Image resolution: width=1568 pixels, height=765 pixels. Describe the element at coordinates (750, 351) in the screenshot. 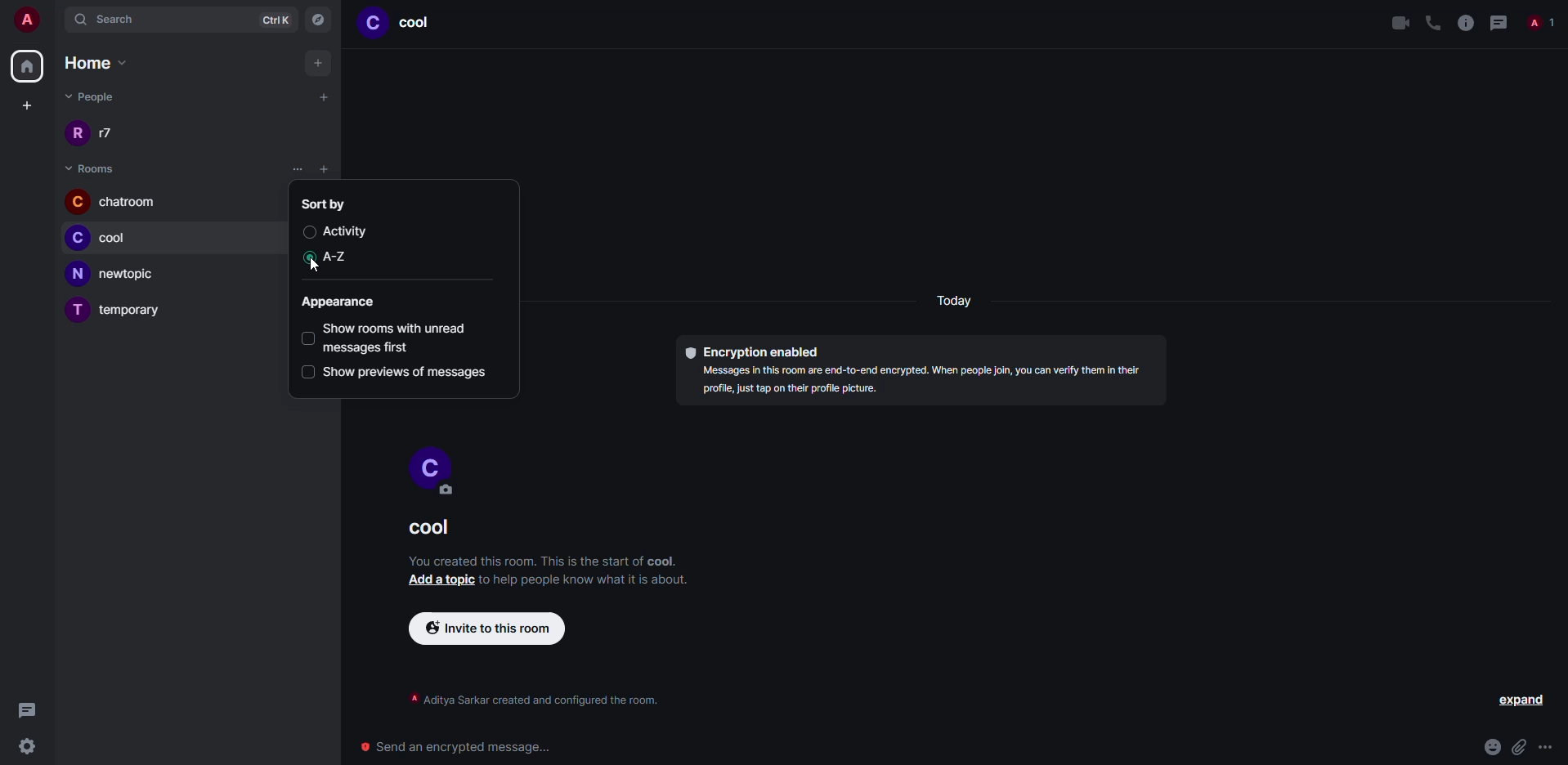

I see `encryption enabled` at that location.